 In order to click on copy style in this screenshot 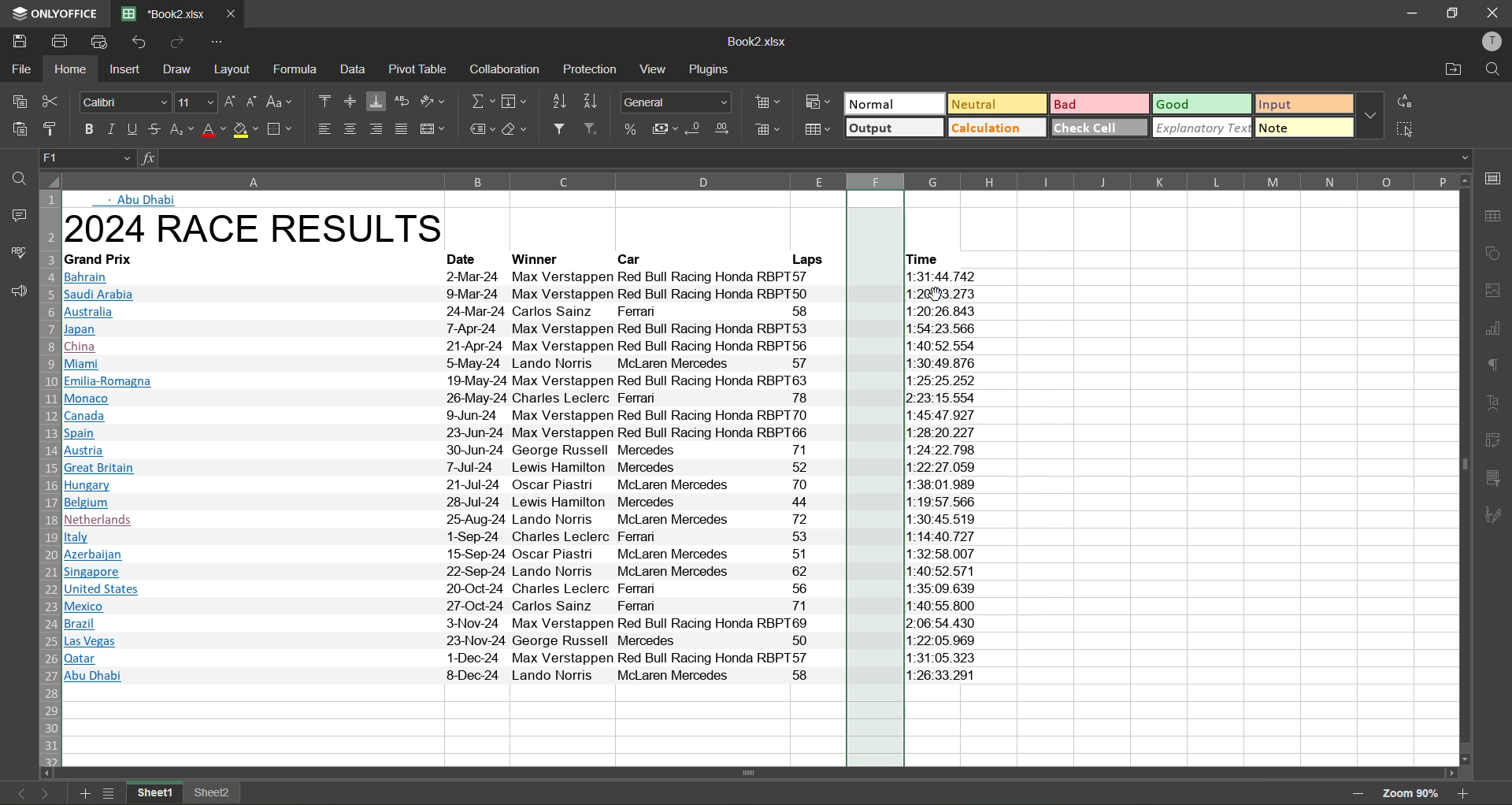, I will do `click(51, 129)`.